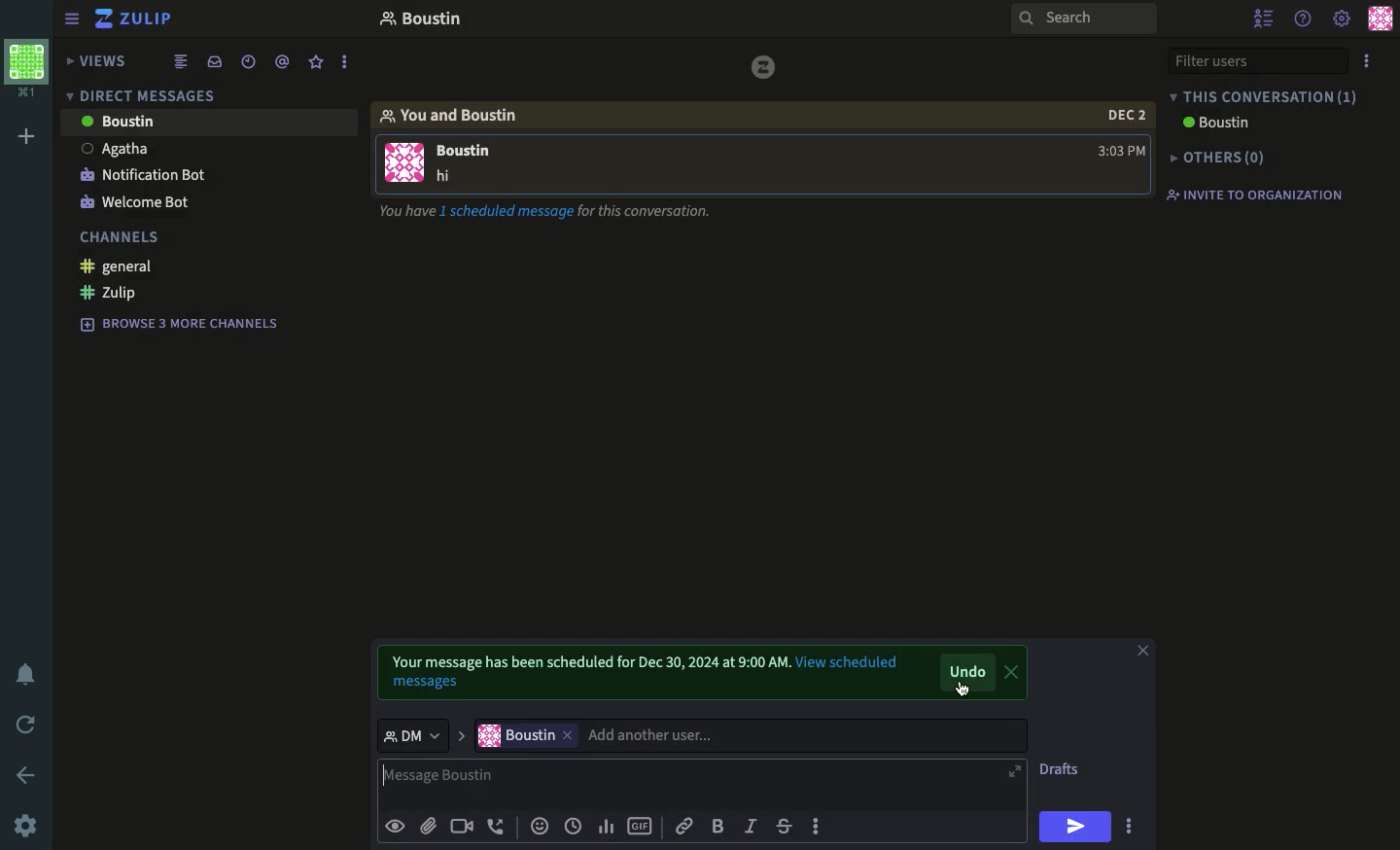 The image size is (1400, 850). What do you see at coordinates (181, 324) in the screenshot?
I see `browse 3 more channels` at bounding box center [181, 324].